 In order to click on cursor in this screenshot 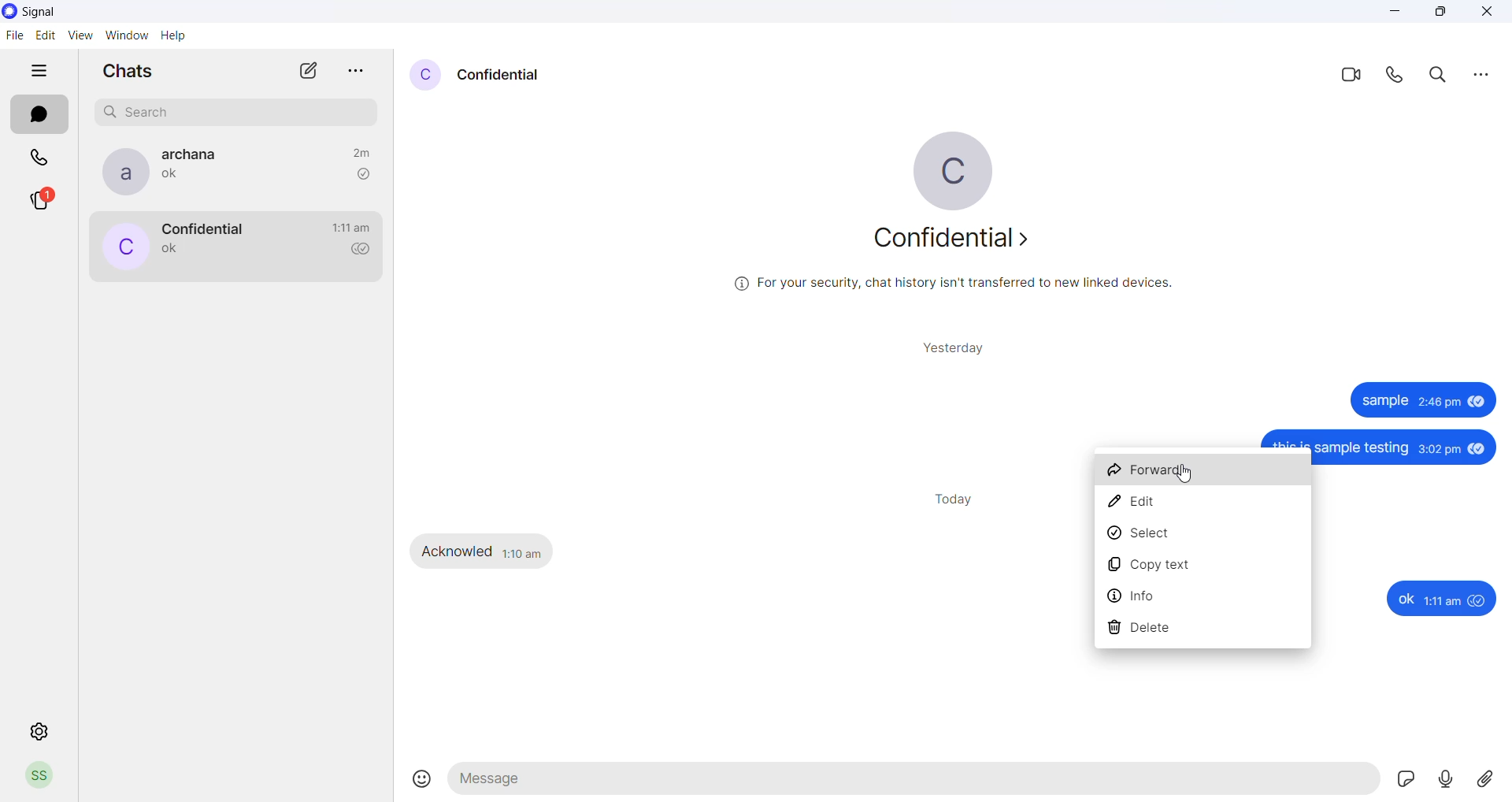, I will do `click(1185, 476)`.